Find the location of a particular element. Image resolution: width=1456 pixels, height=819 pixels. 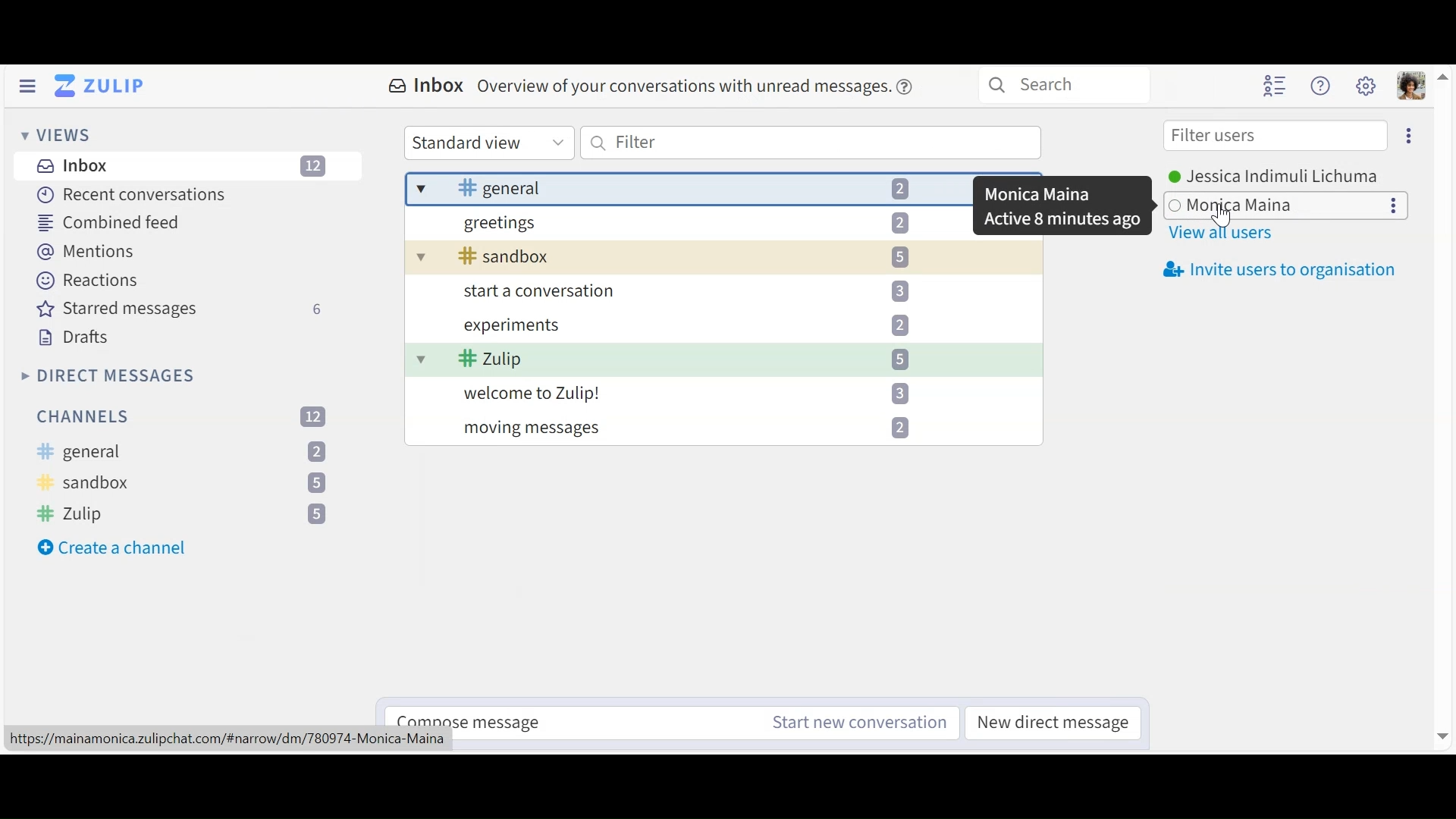

Compose messages is located at coordinates (573, 719).